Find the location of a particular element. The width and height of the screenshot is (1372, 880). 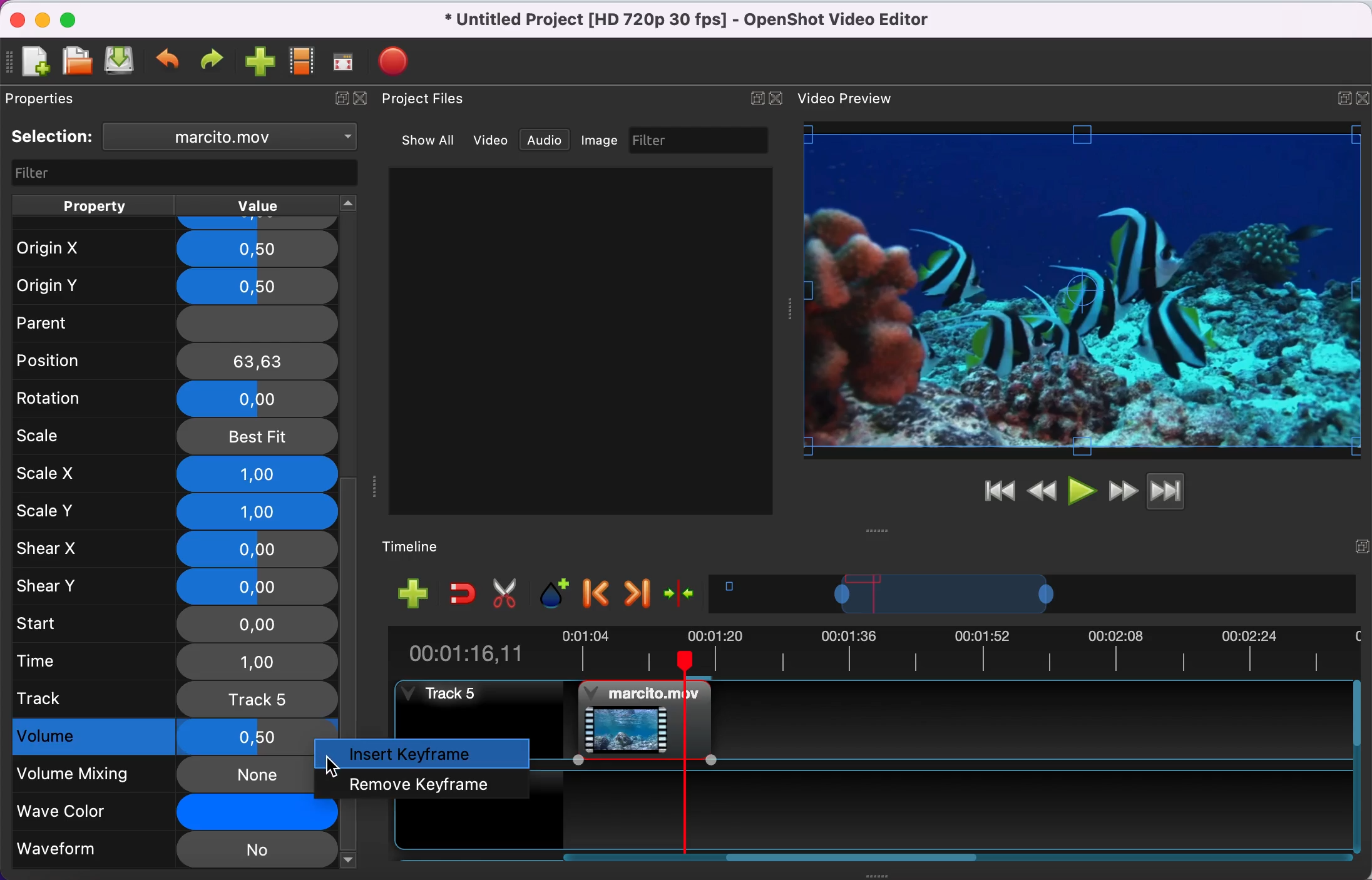

redo is located at coordinates (215, 61).